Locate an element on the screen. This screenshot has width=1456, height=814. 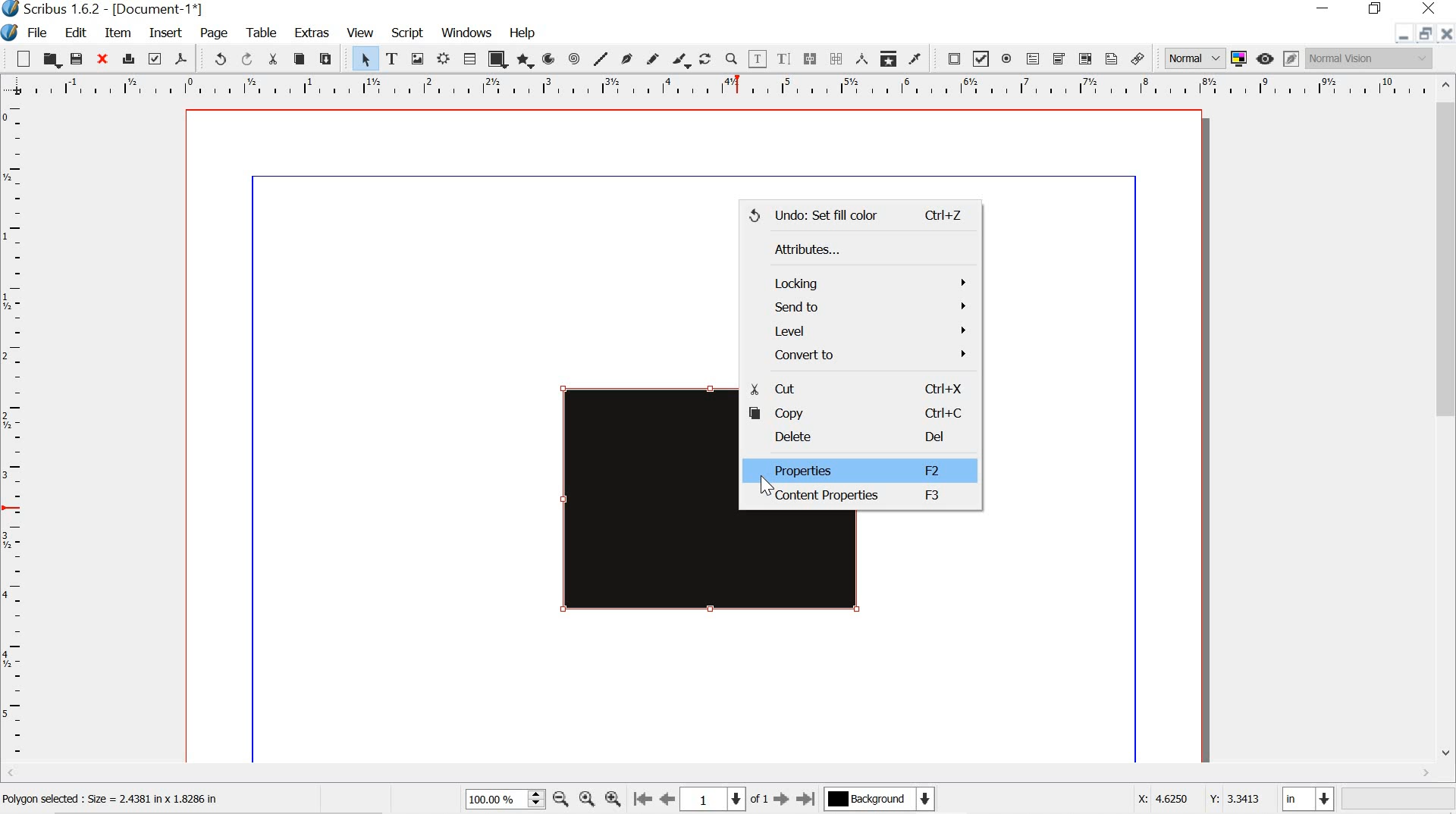
edit in preview mode is located at coordinates (1291, 57).